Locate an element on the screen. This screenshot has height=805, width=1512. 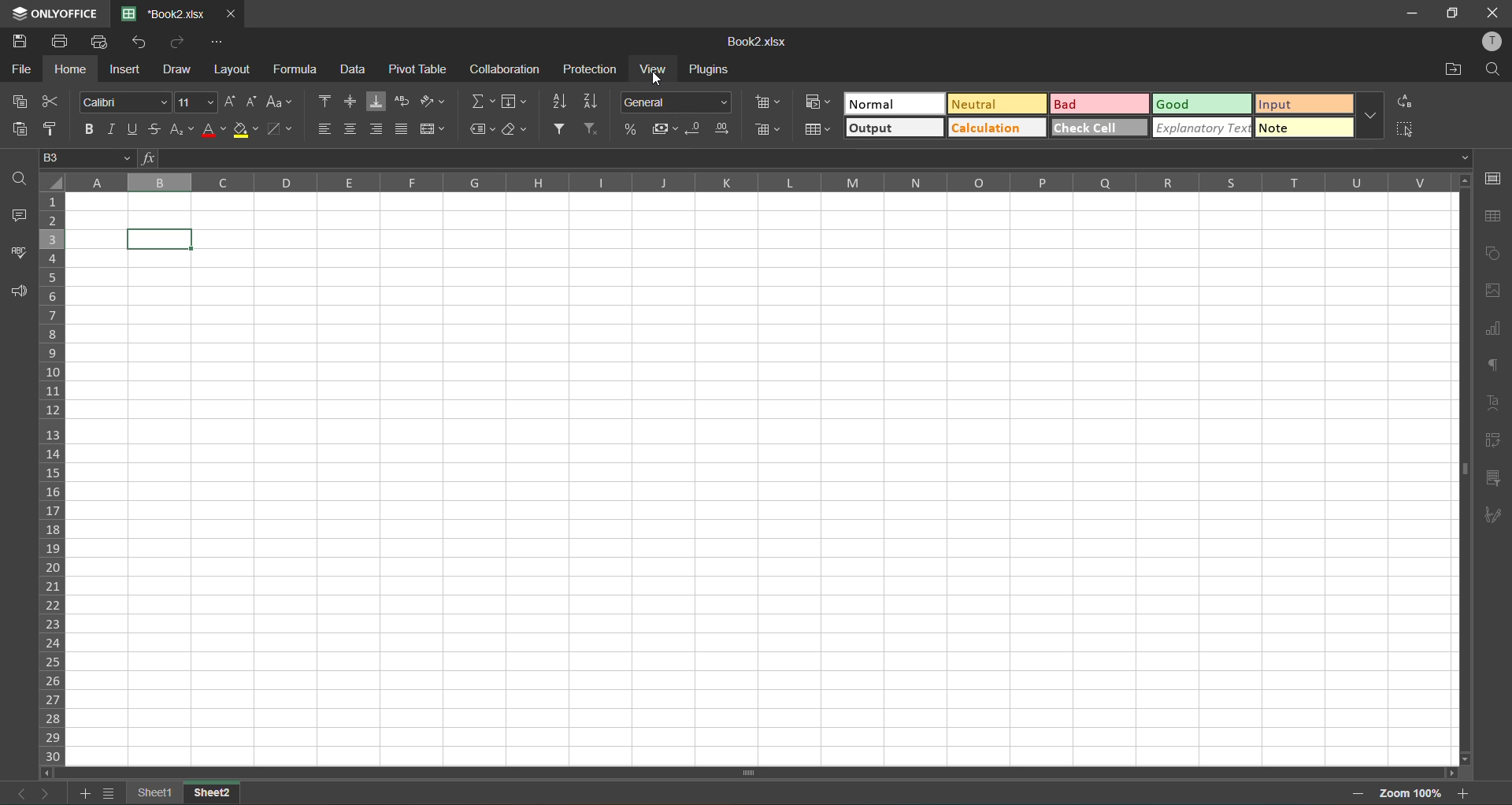
table is located at coordinates (1496, 216).